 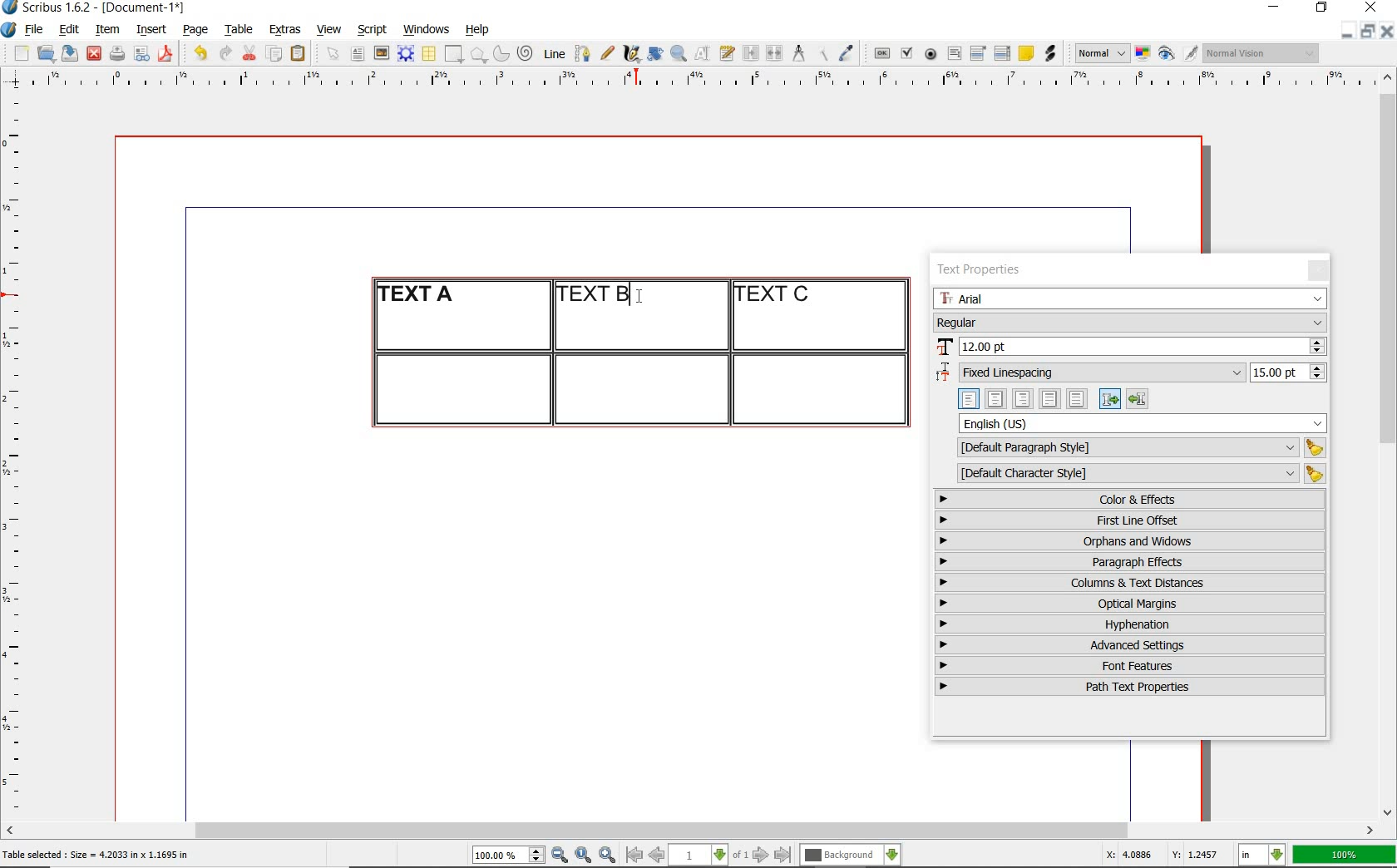 I want to click on text language, so click(x=1143, y=423).